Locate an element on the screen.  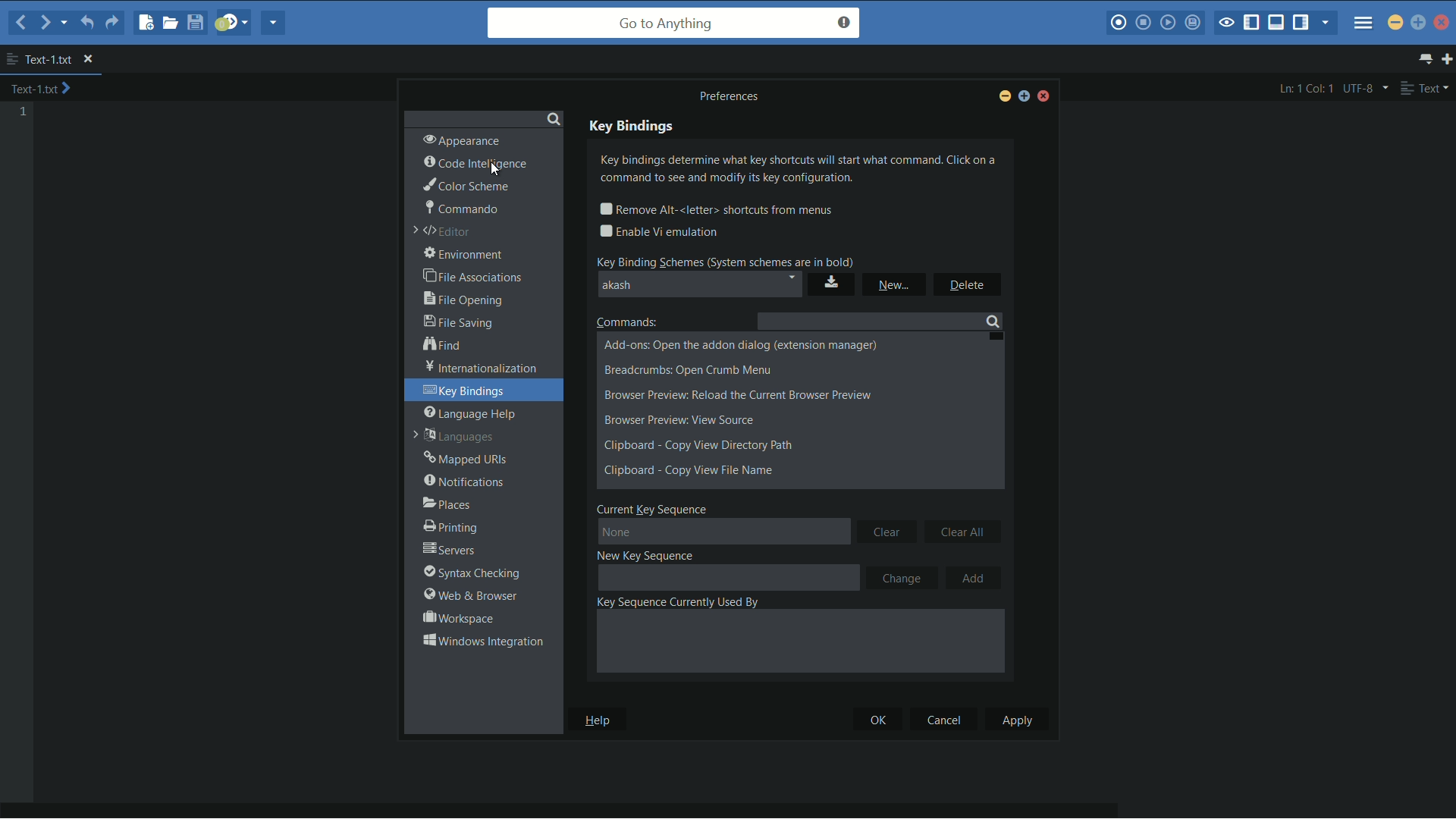
color scheme is located at coordinates (465, 185).